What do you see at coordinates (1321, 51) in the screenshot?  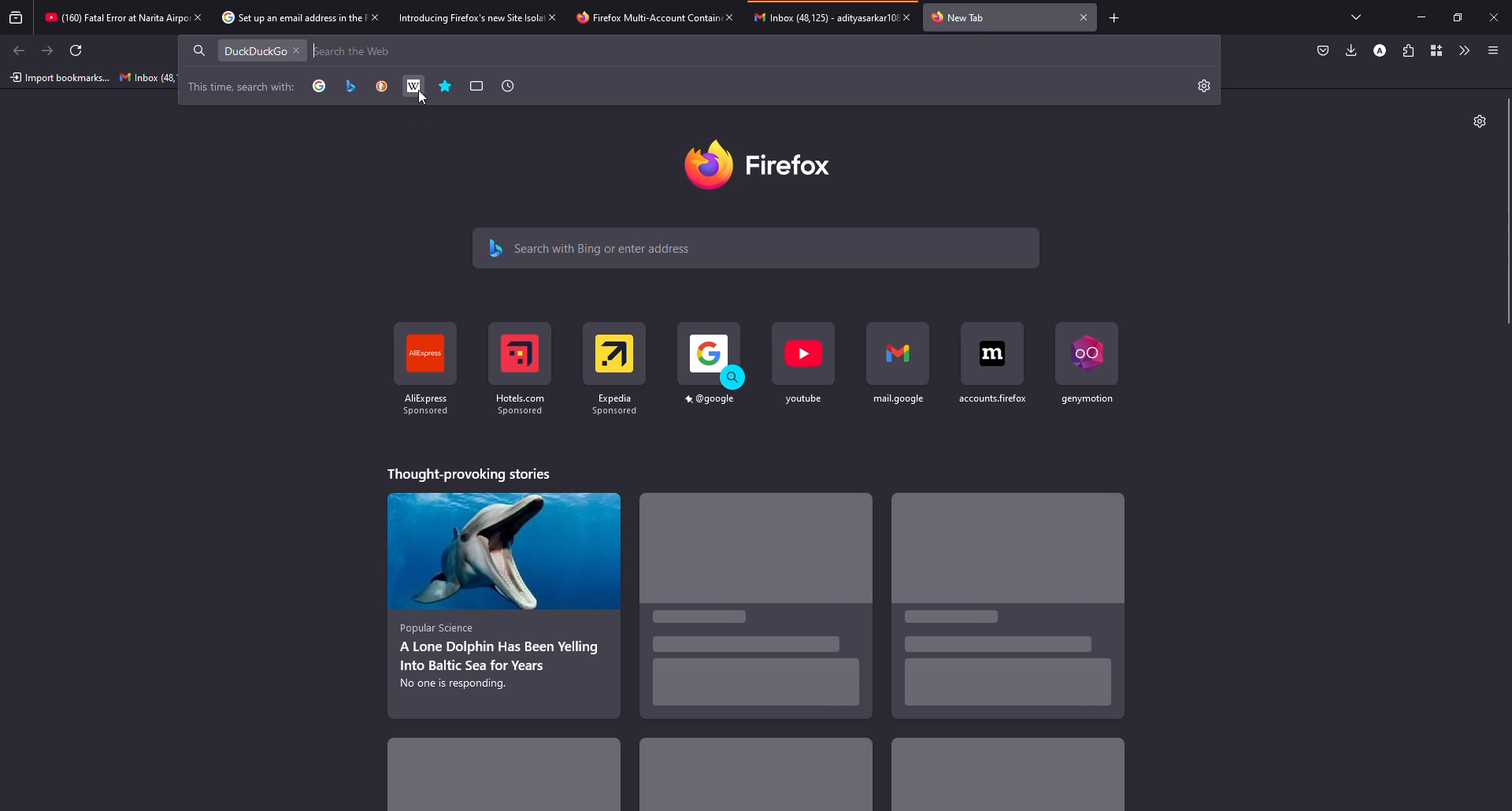 I see `save to packet` at bounding box center [1321, 51].